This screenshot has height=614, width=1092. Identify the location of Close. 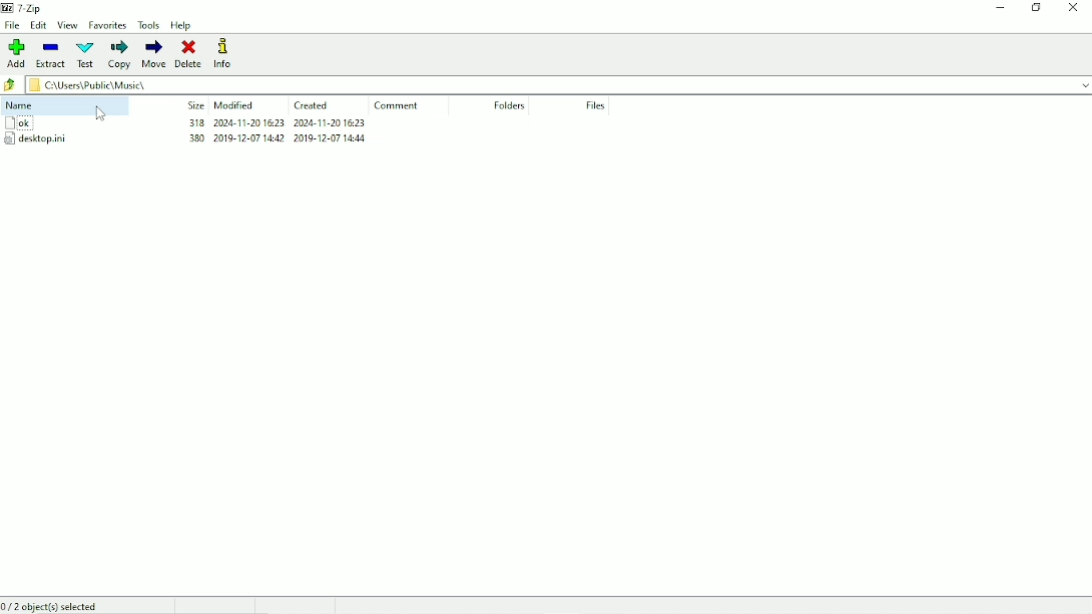
(1073, 8).